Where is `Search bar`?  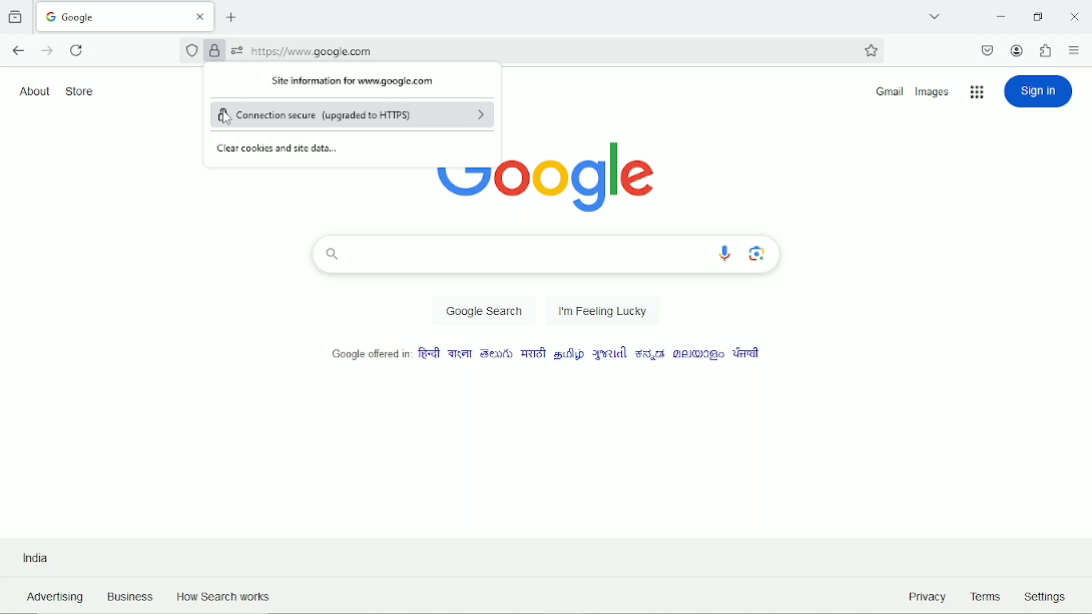
Search bar is located at coordinates (546, 255).